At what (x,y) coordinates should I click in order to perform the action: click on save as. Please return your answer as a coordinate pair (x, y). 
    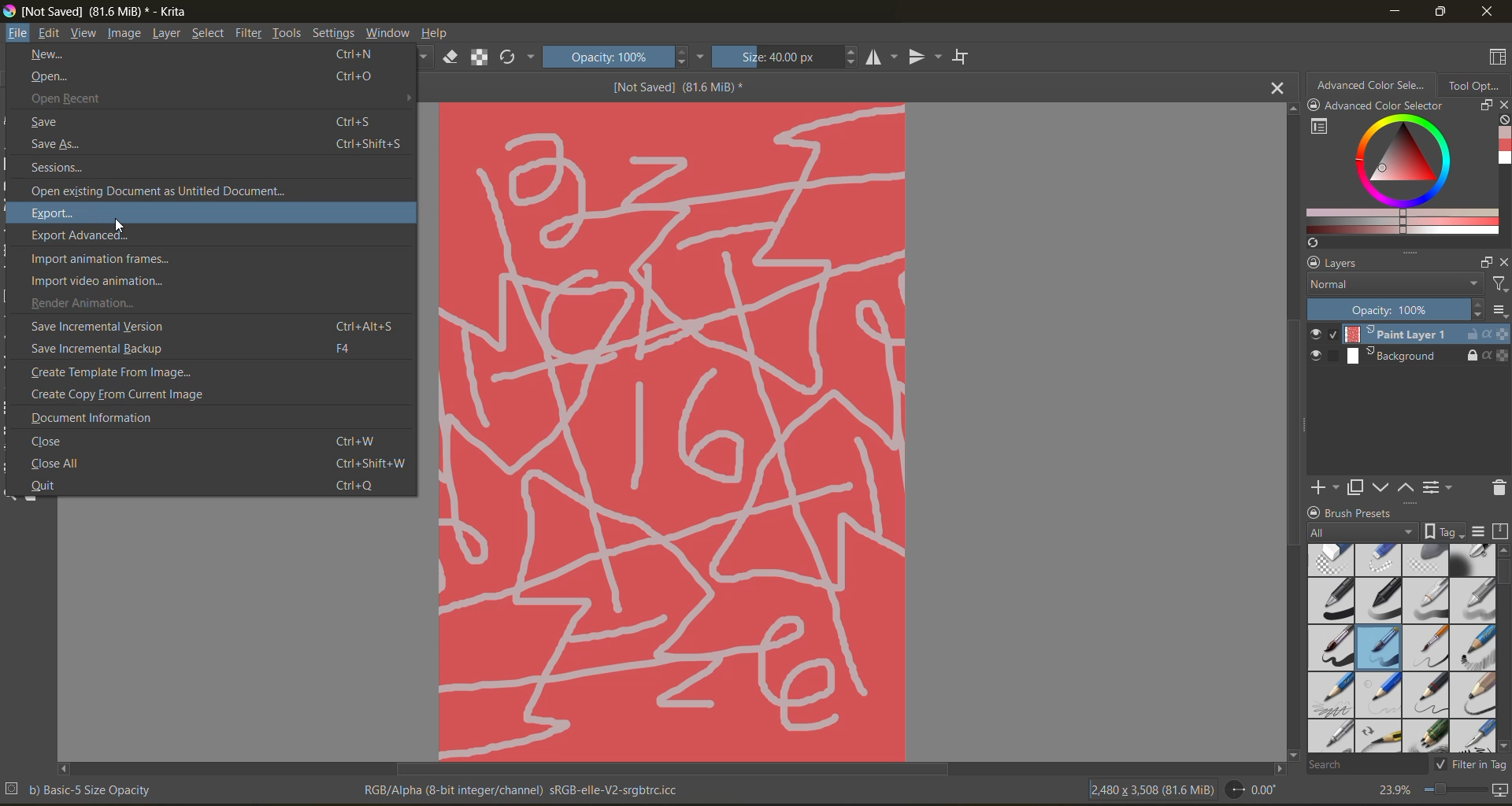
    Looking at the image, I should click on (217, 145).